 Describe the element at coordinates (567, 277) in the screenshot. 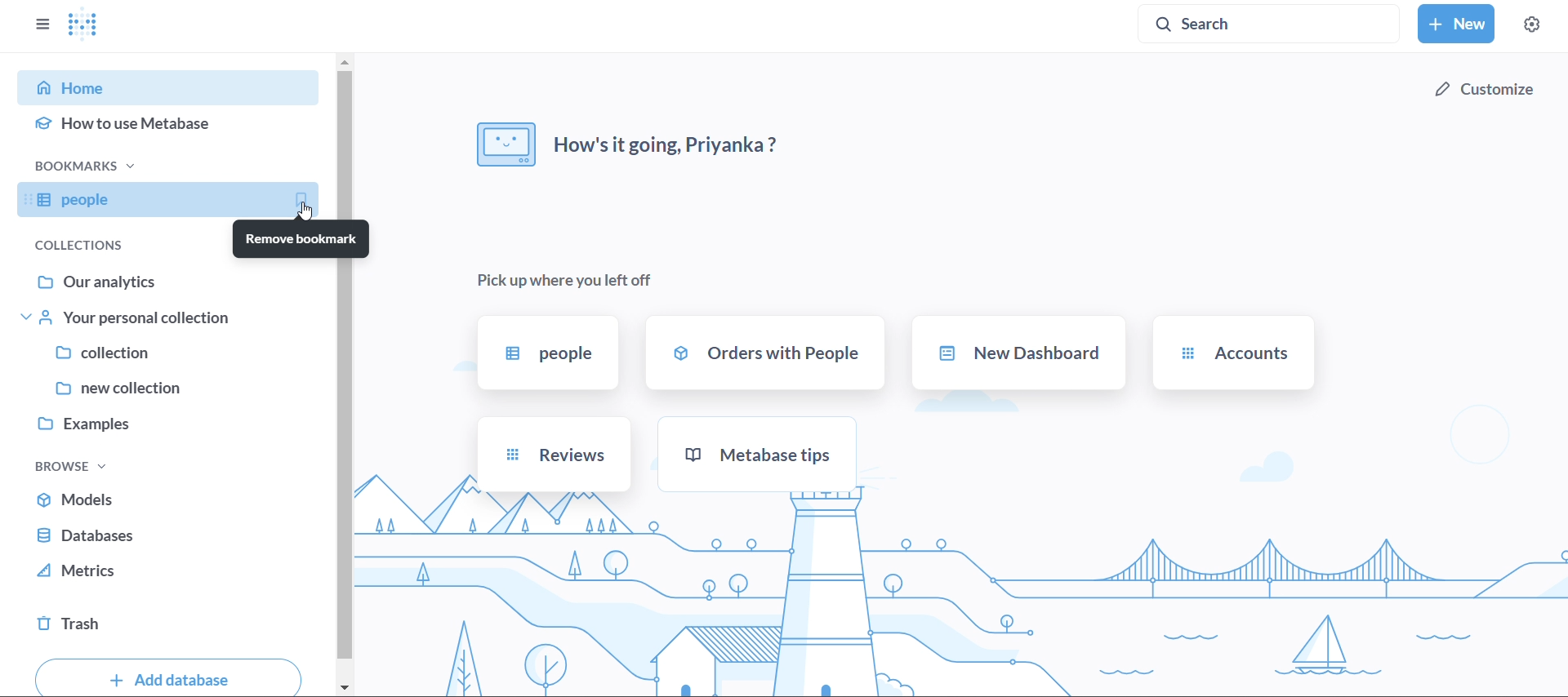

I see `pick up where you left off` at that location.